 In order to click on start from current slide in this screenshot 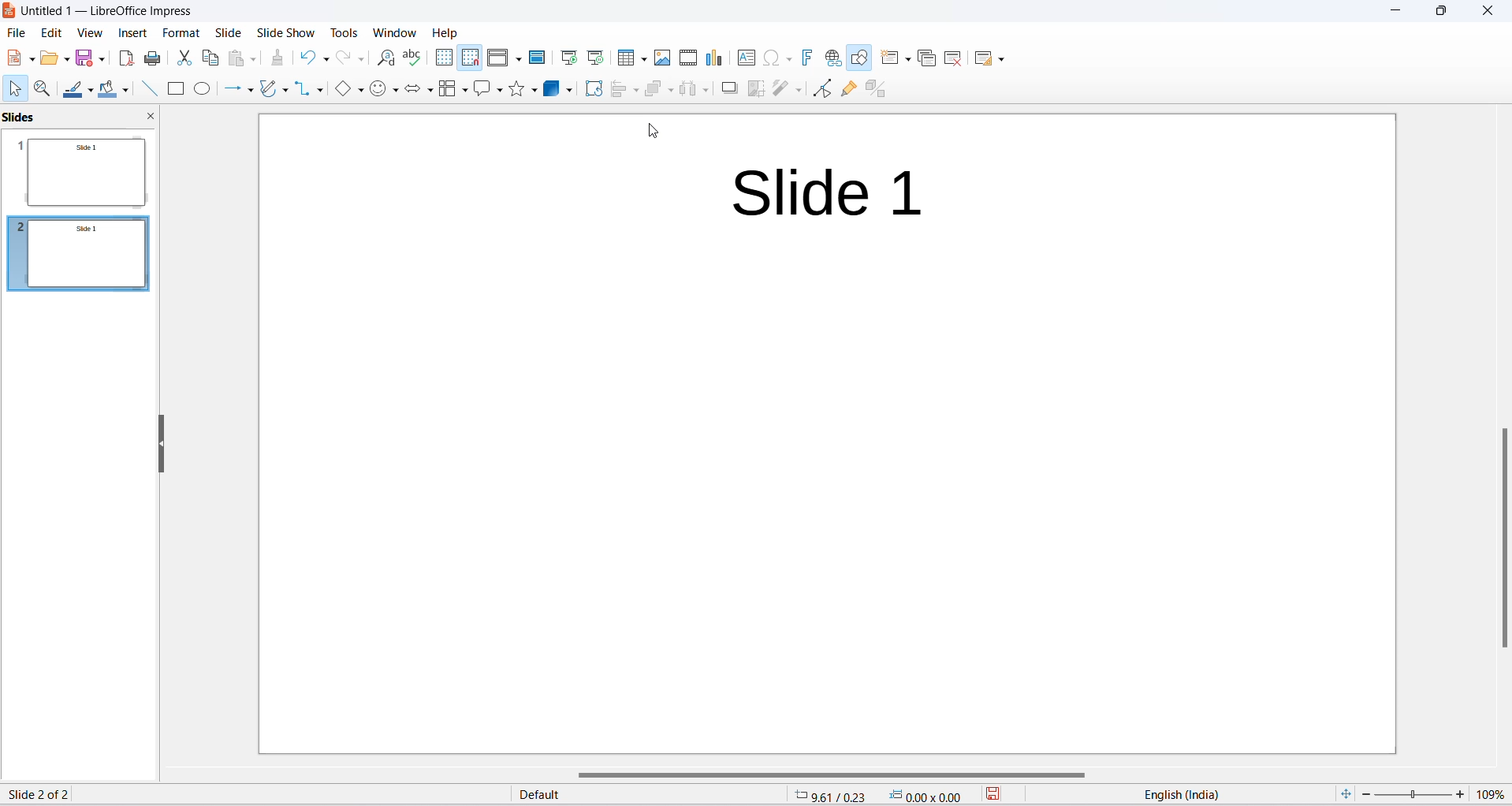, I will do `click(595, 58)`.